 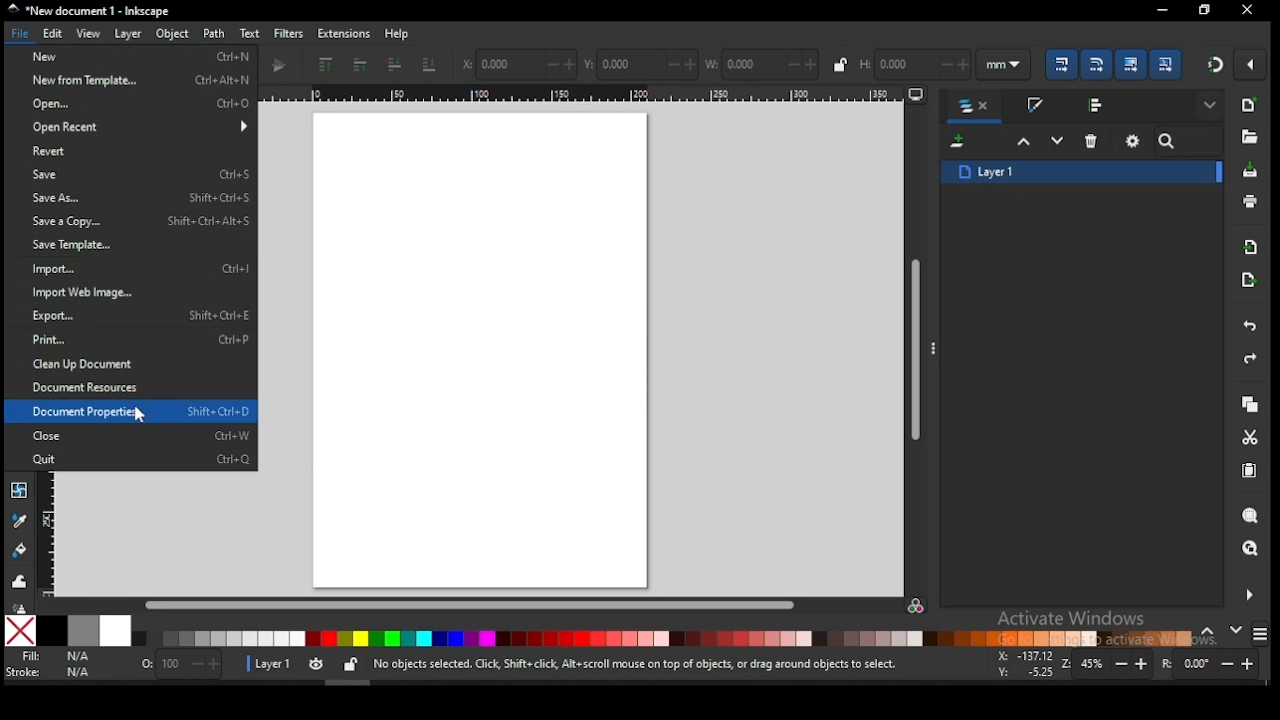 I want to click on scroll bar, so click(x=917, y=348).